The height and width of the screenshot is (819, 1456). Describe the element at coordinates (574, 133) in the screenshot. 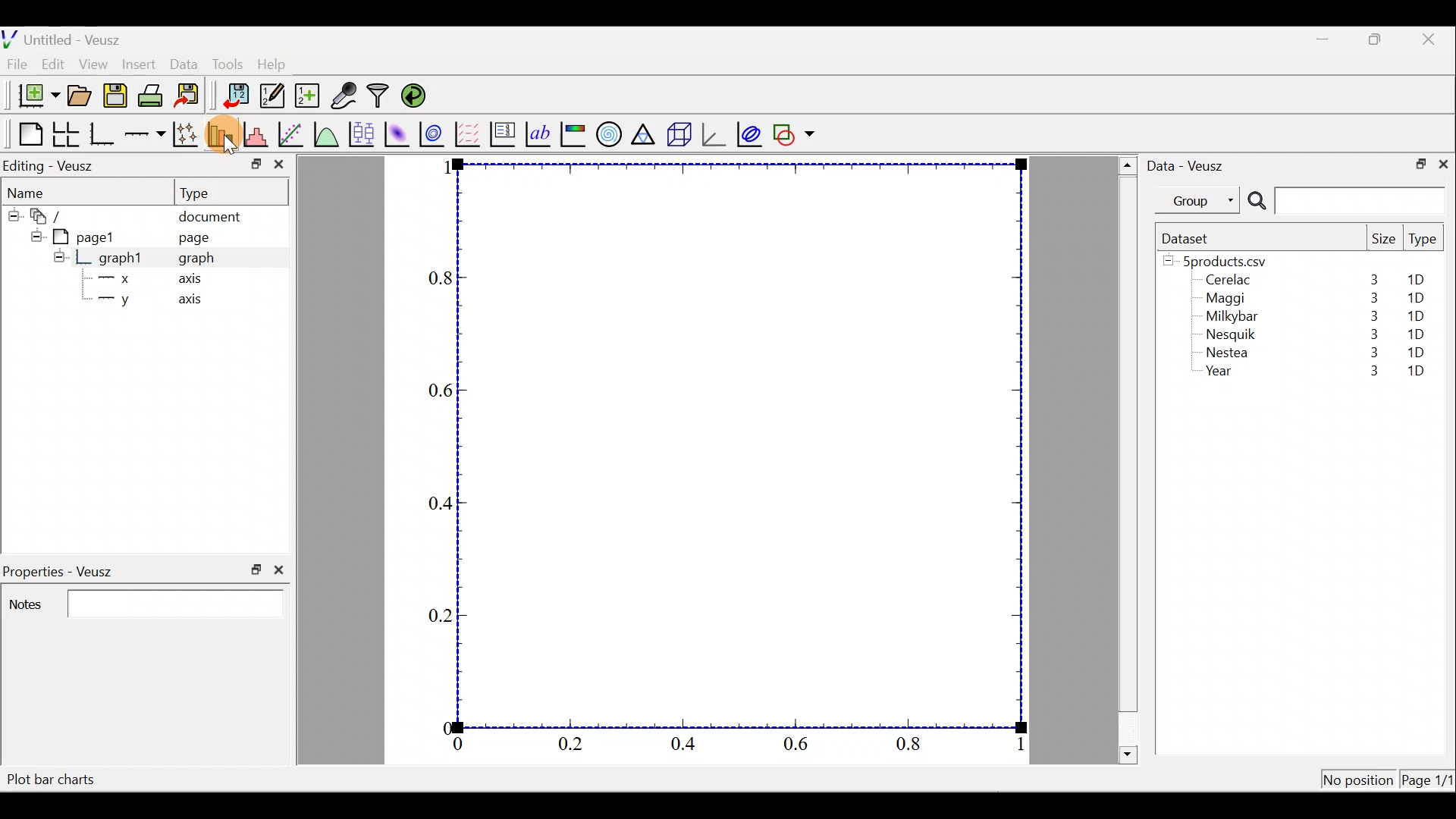

I see `Image color bar` at that location.